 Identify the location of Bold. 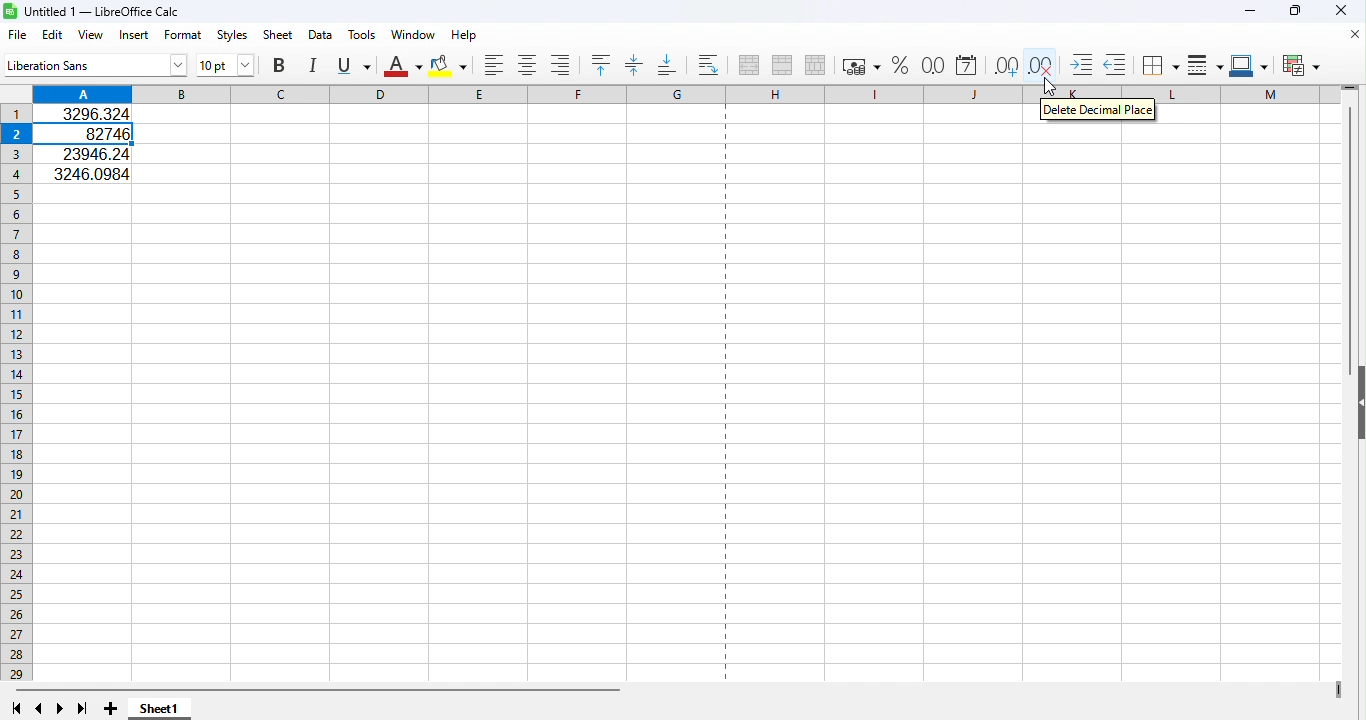
(278, 68).